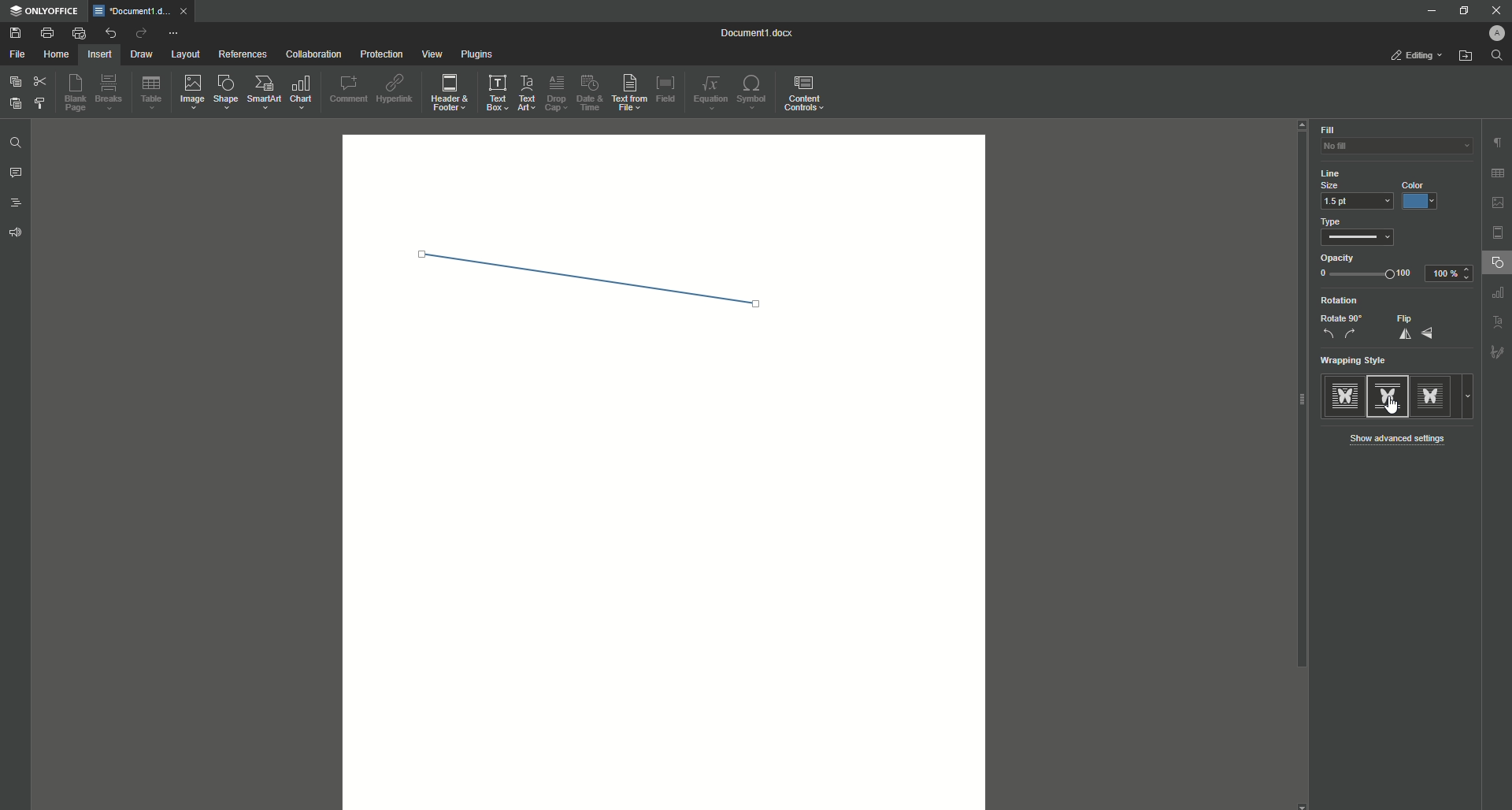 The image size is (1512, 810). I want to click on Flip, so click(1414, 328).